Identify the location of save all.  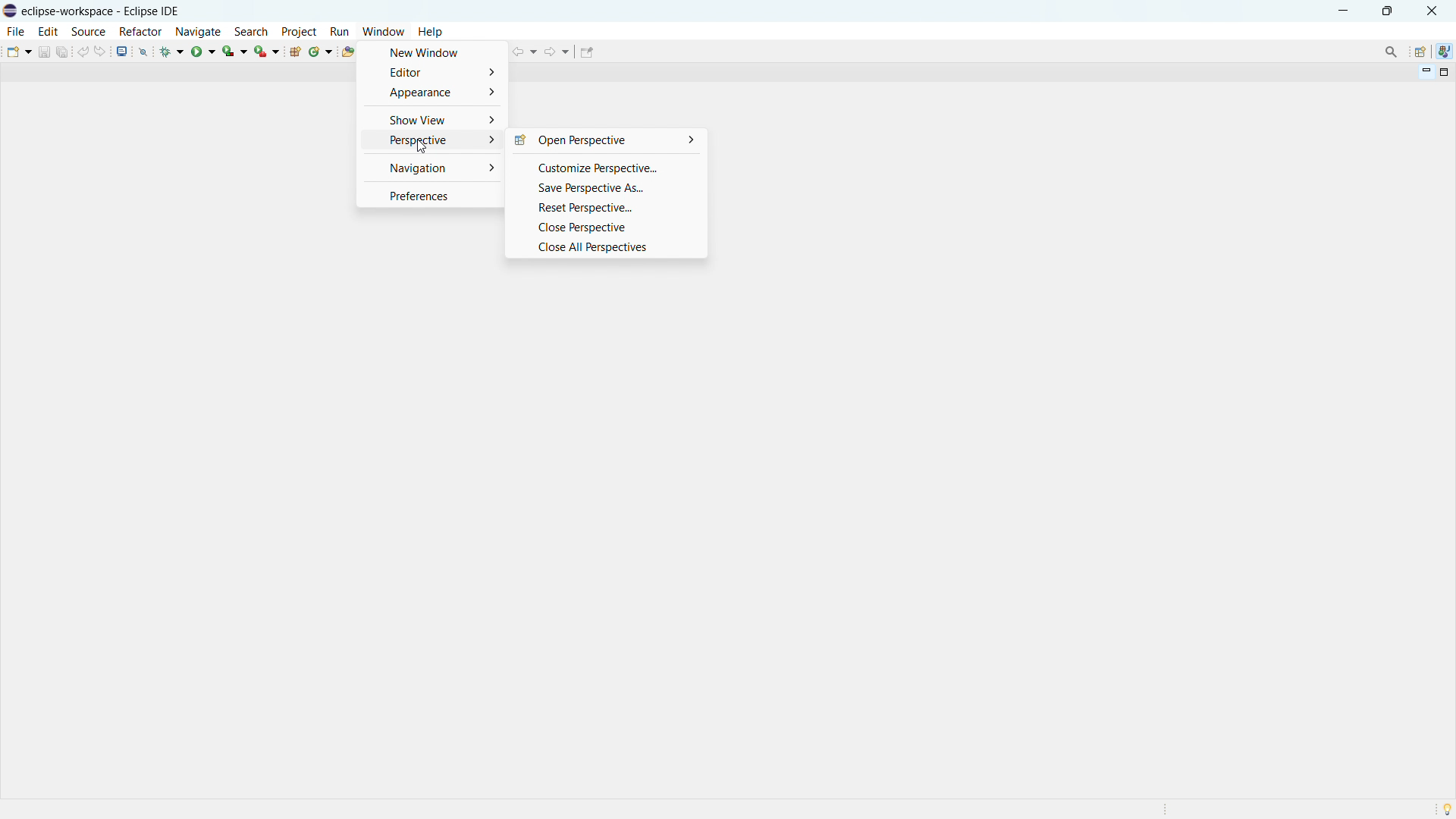
(63, 51).